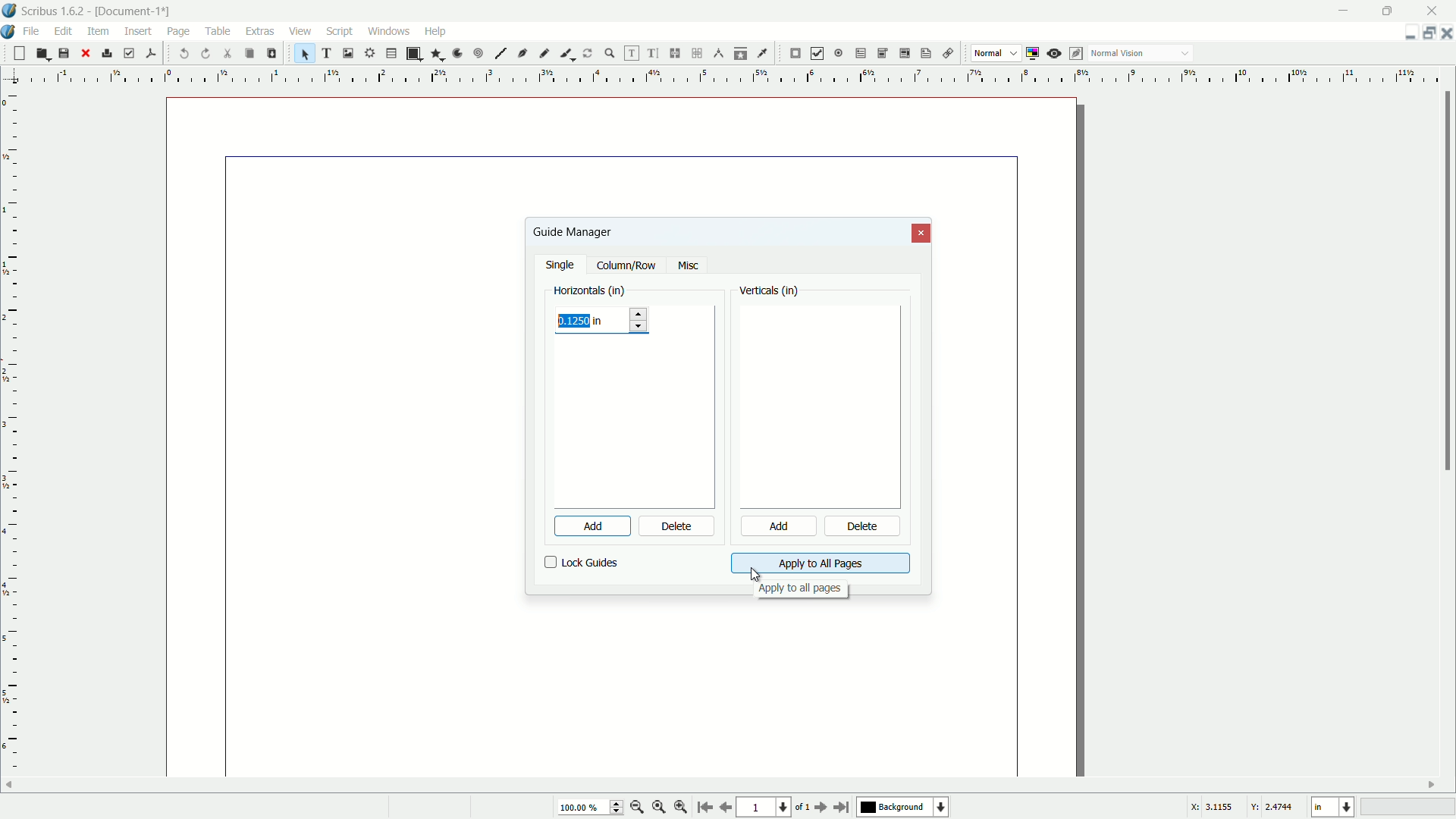  Describe the element at coordinates (437, 55) in the screenshot. I see `polygon` at that location.